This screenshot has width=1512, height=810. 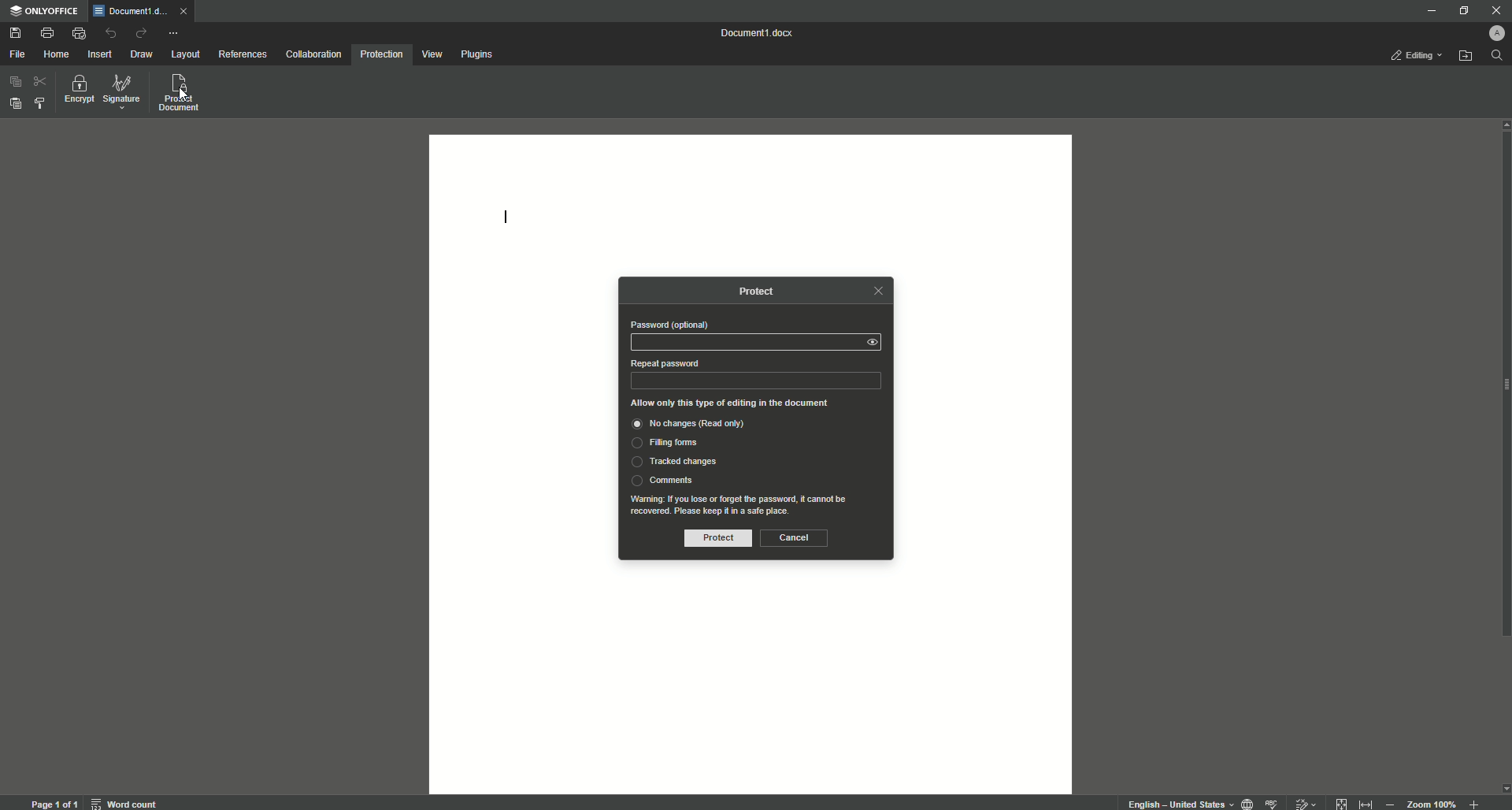 I want to click on seen, so click(x=876, y=342).